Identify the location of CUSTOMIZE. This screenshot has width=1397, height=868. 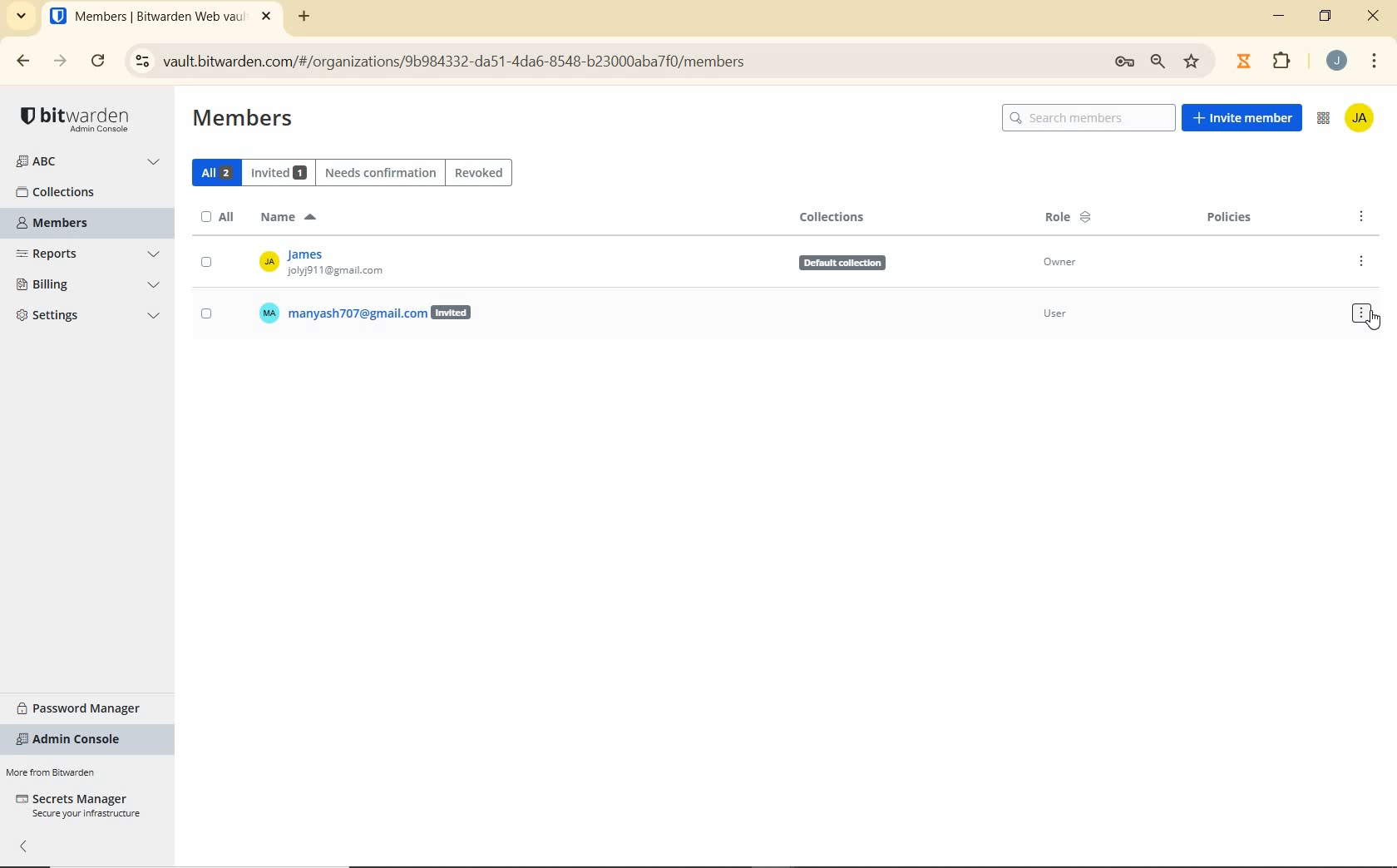
(1375, 61).